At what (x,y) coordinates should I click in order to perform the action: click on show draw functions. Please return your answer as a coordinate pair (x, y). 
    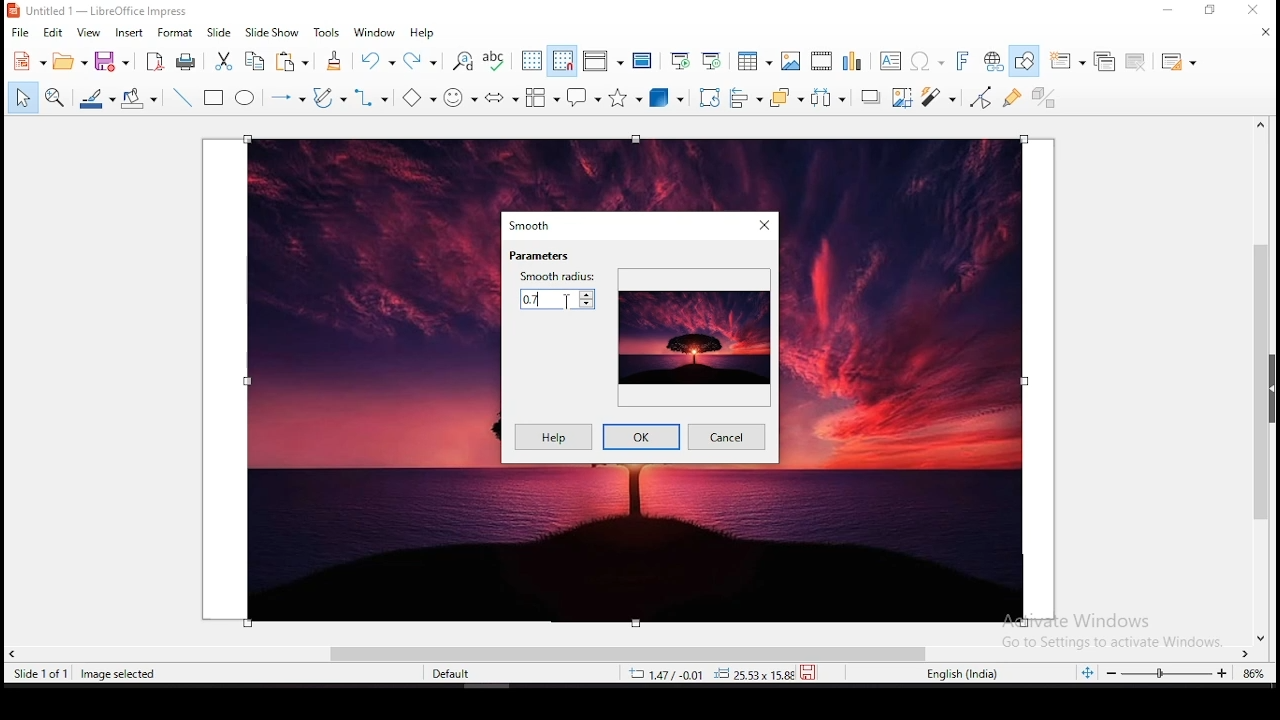
    Looking at the image, I should click on (1028, 60).